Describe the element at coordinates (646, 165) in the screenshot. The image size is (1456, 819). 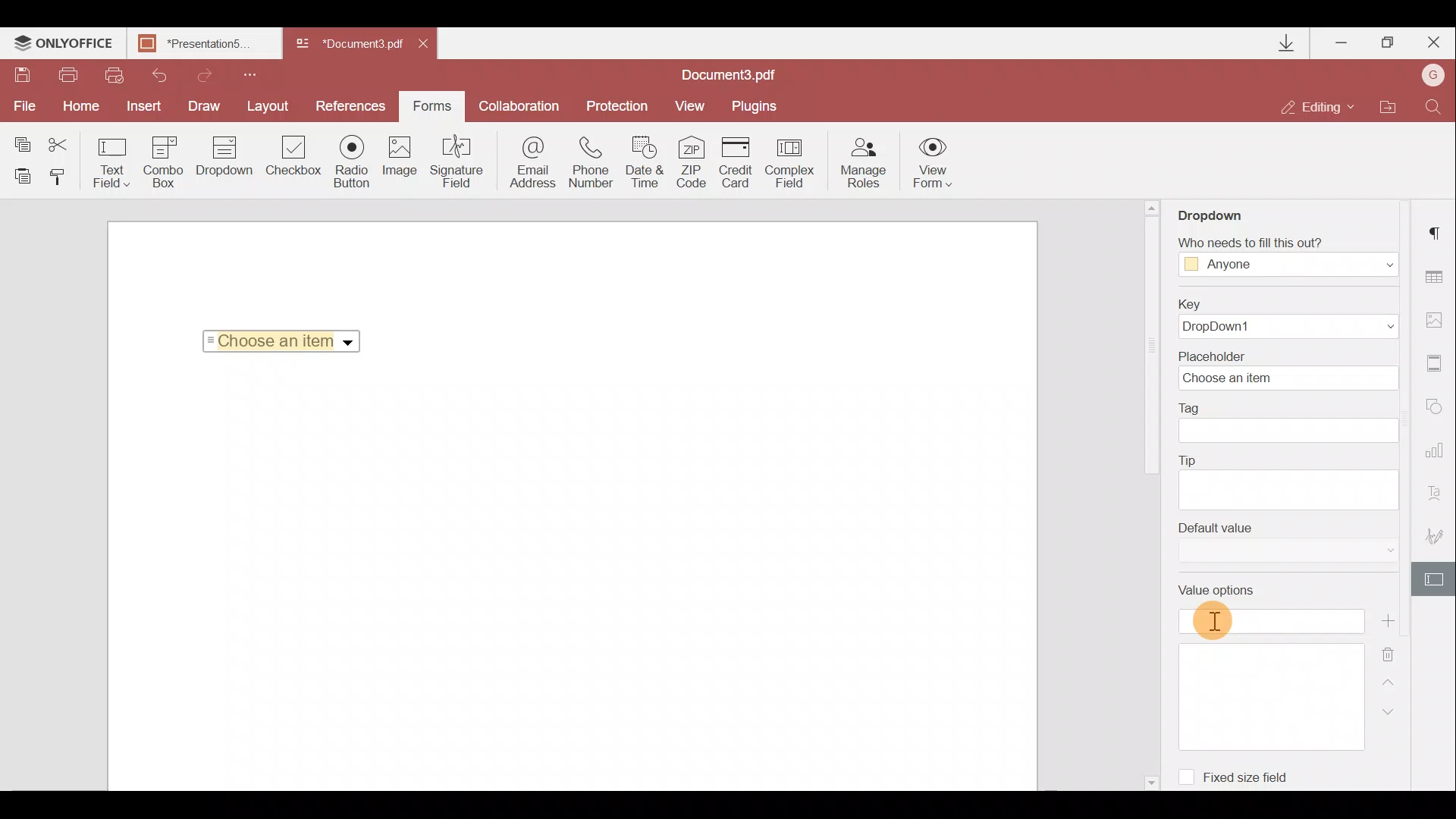
I see `Date & time` at that location.